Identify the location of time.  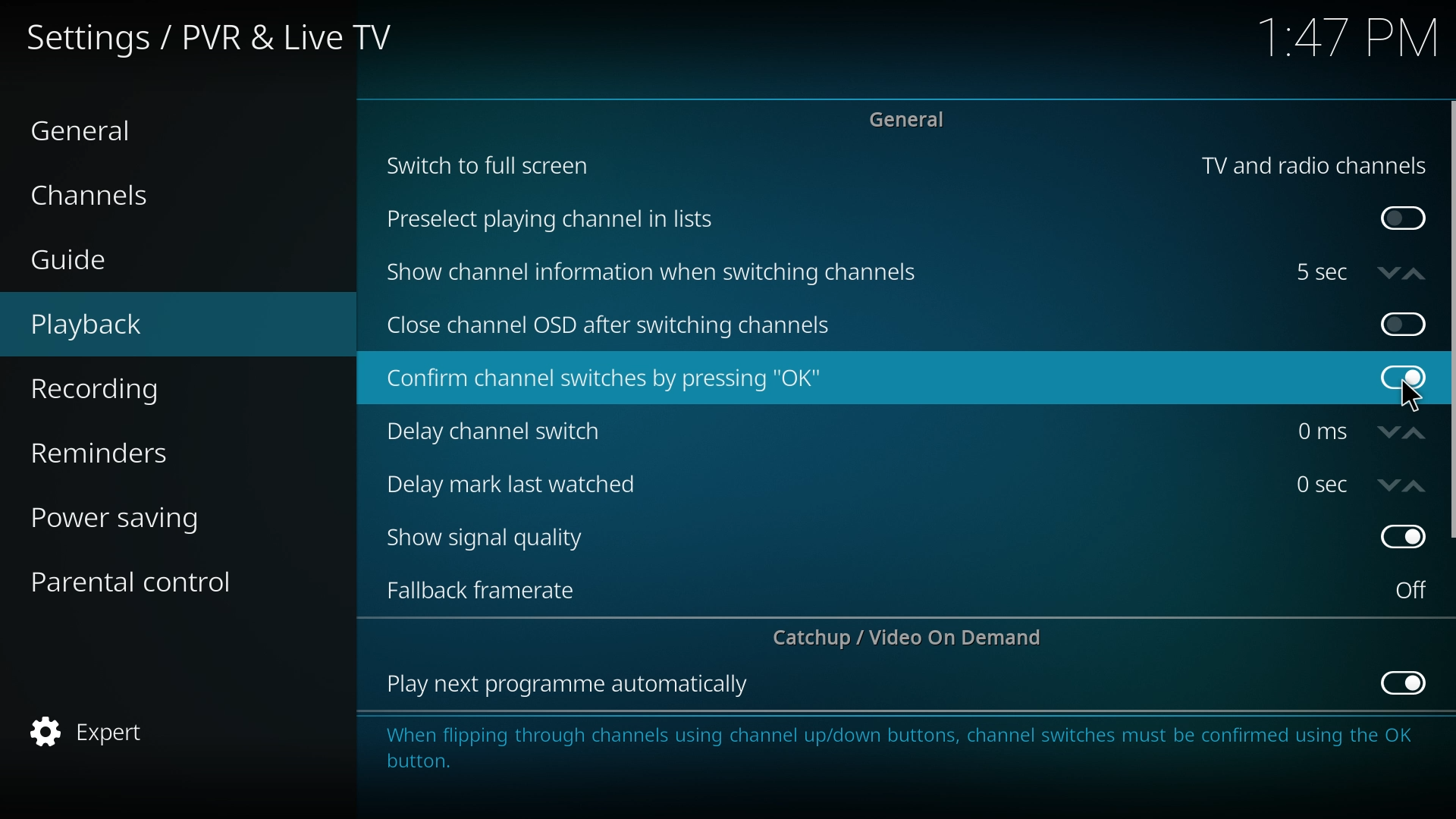
(1322, 431).